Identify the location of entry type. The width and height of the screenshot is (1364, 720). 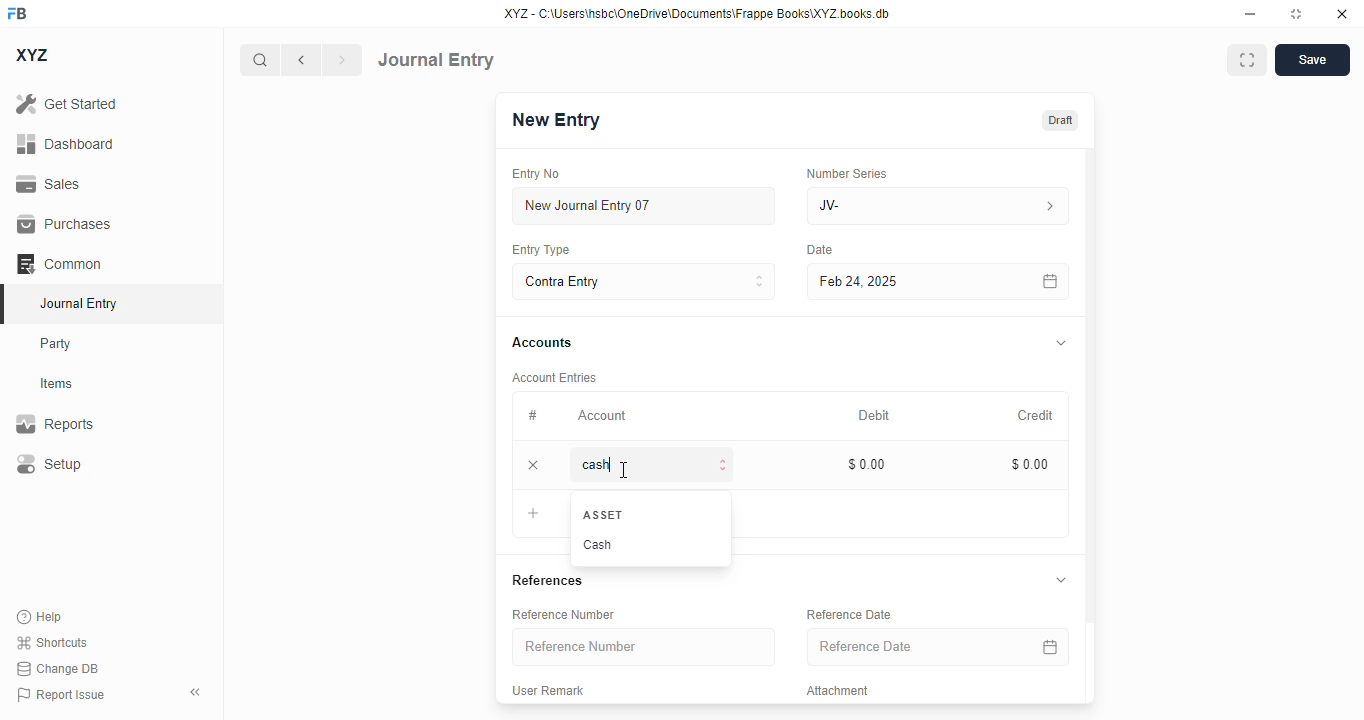
(542, 250).